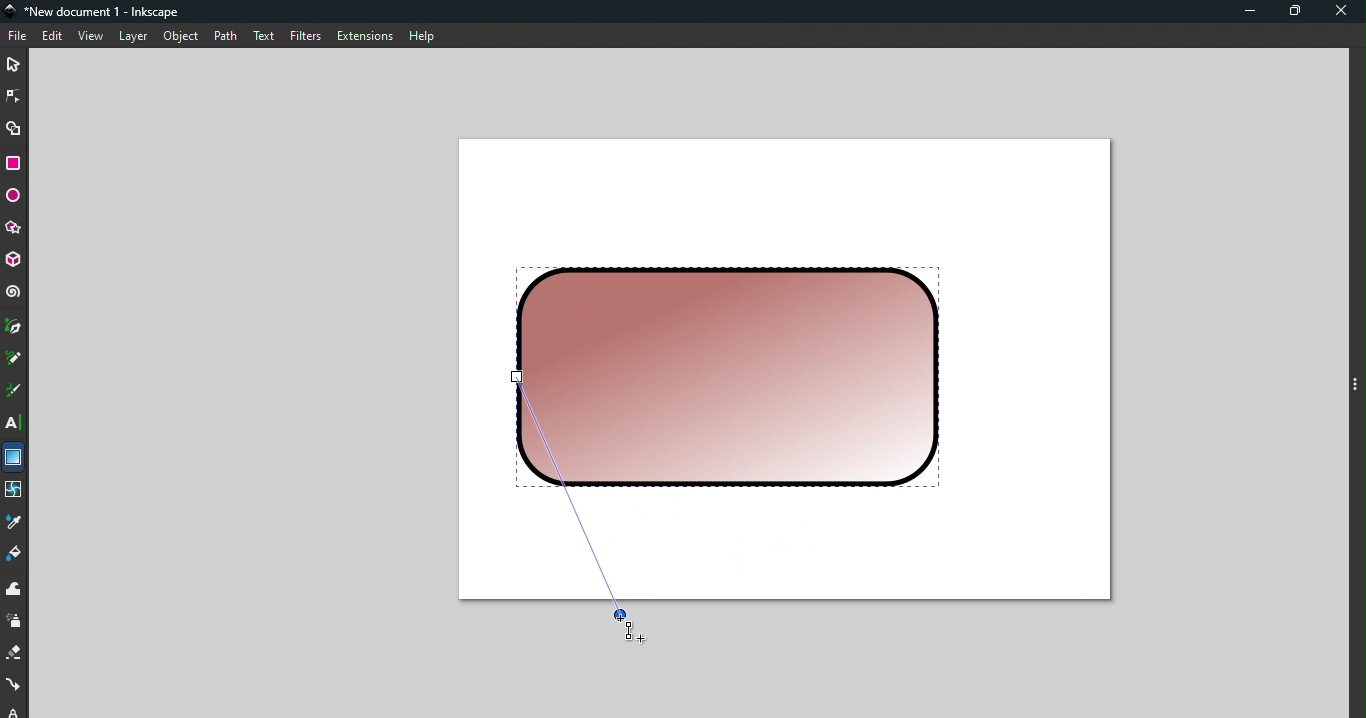 The height and width of the screenshot is (718, 1366). What do you see at coordinates (1299, 12) in the screenshot?
I see `Maximize` at bounding box center [1299, 12].